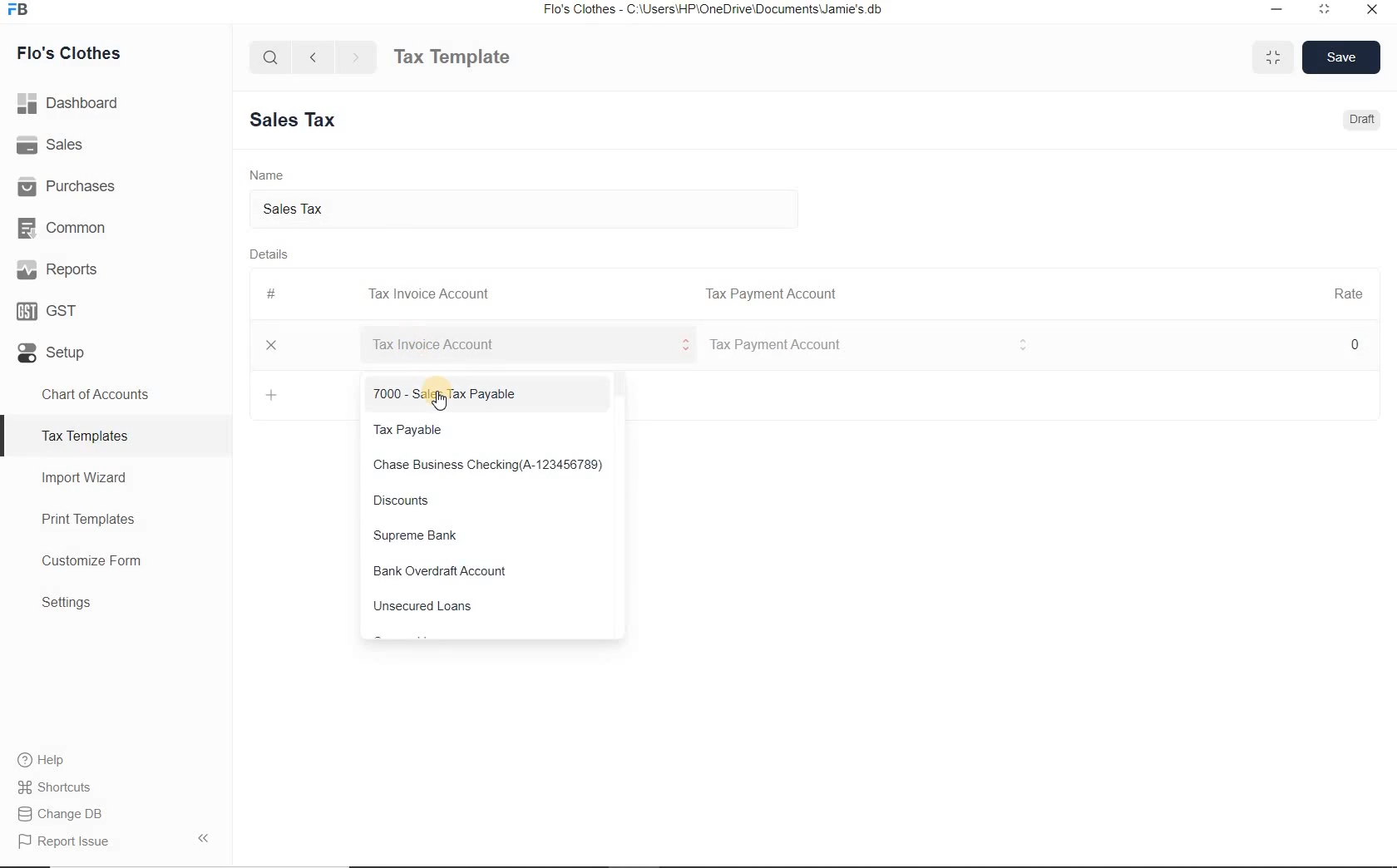 The height and width of the screenshot is (868, 1397). I want to click on Bank Overdraft Account, so click(491, 572).